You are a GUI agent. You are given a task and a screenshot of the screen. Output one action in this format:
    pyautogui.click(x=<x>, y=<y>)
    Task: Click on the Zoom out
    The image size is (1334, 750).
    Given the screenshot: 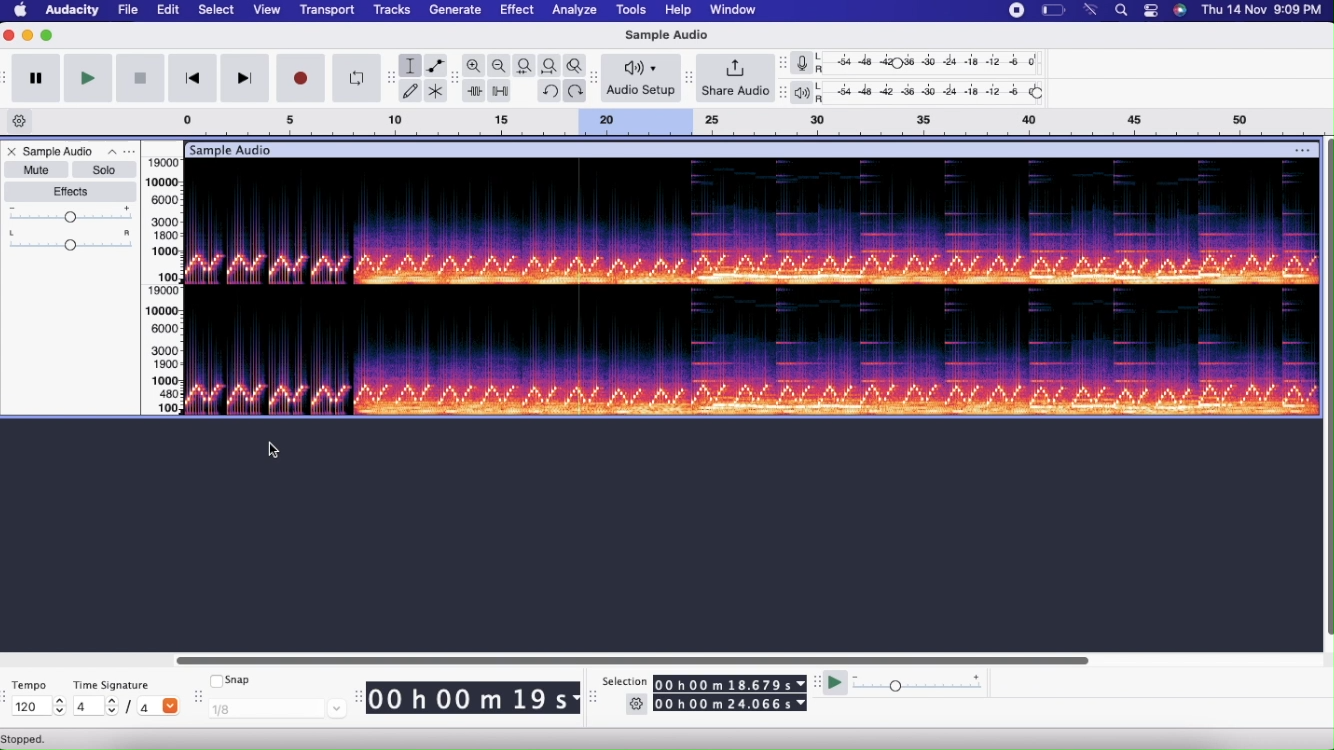 What is the action you would take?
    pyautogui.click(x=498, y=64)
    